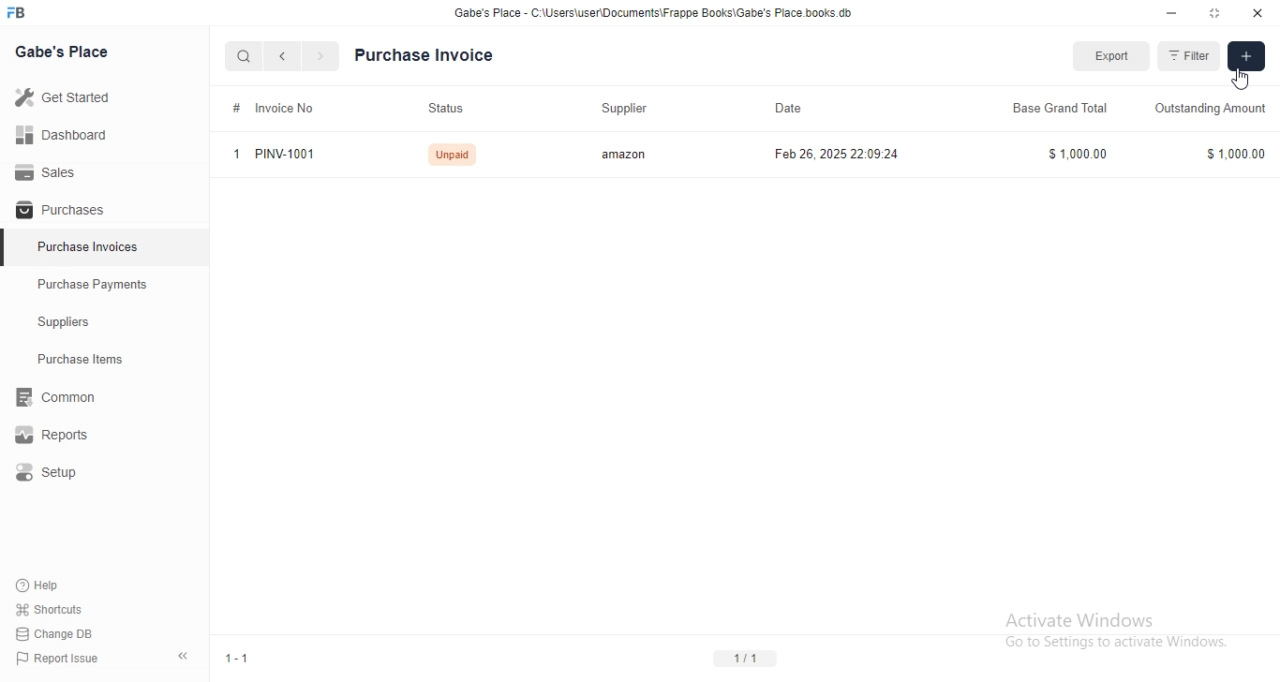  Describe the element at coordinates (50, 609) in the screenshot. I see `Shortcuts` at that location.